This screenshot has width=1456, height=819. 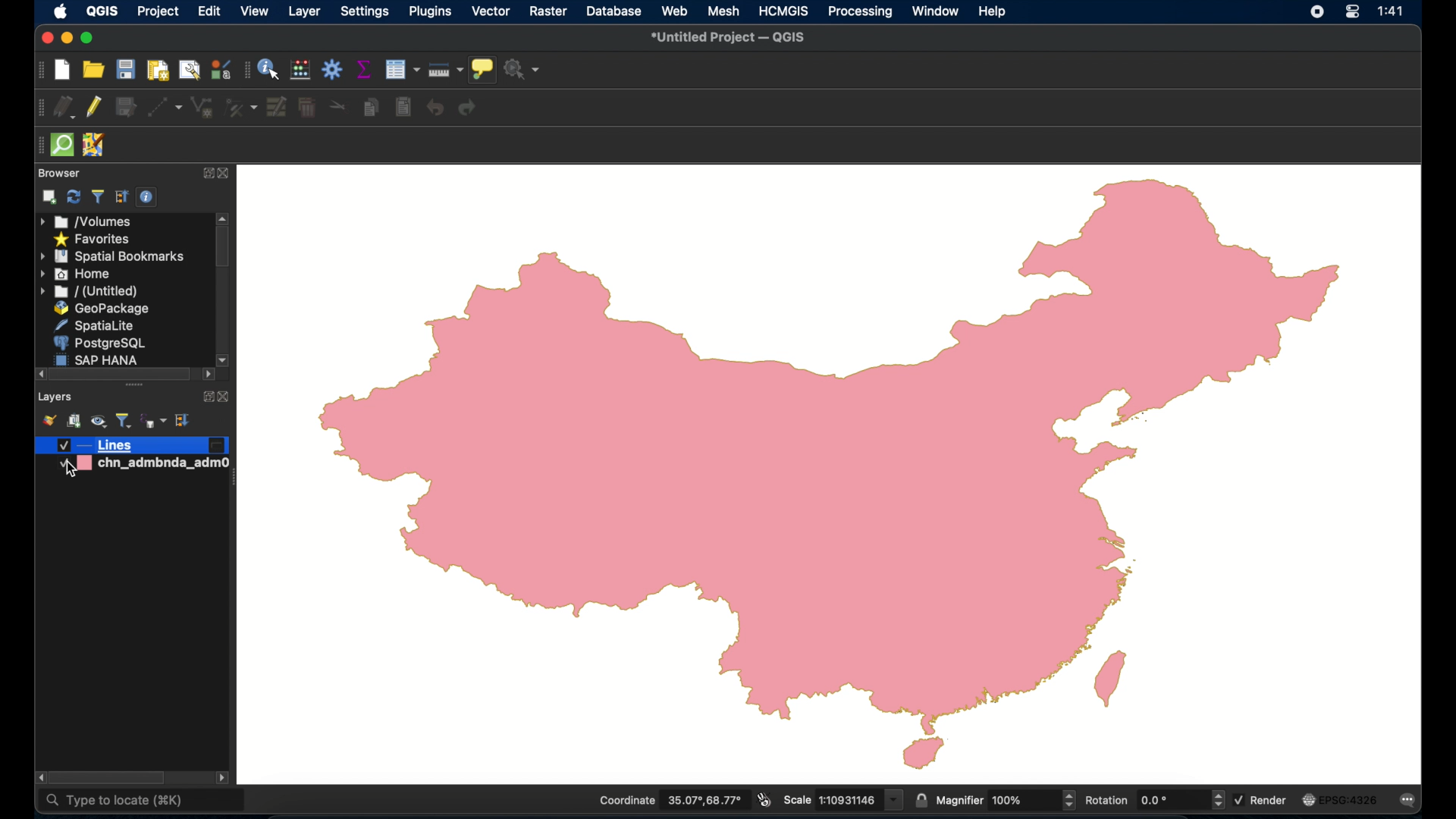 What do you see at coordinates (446, 67) in the screenshot?
I see `measure line` at bounding box center [446, 67].